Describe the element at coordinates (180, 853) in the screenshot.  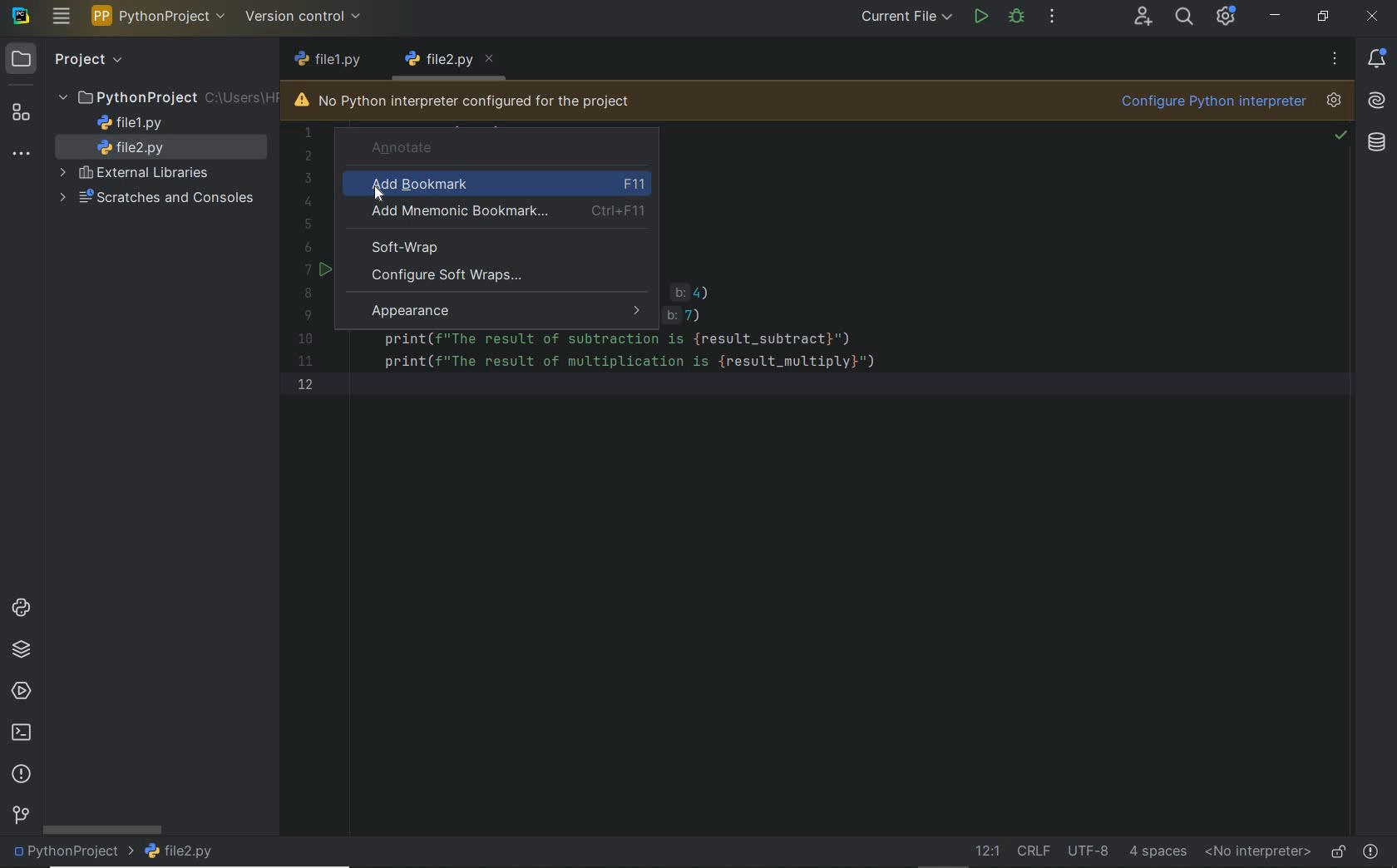
I see `file name` at that location.